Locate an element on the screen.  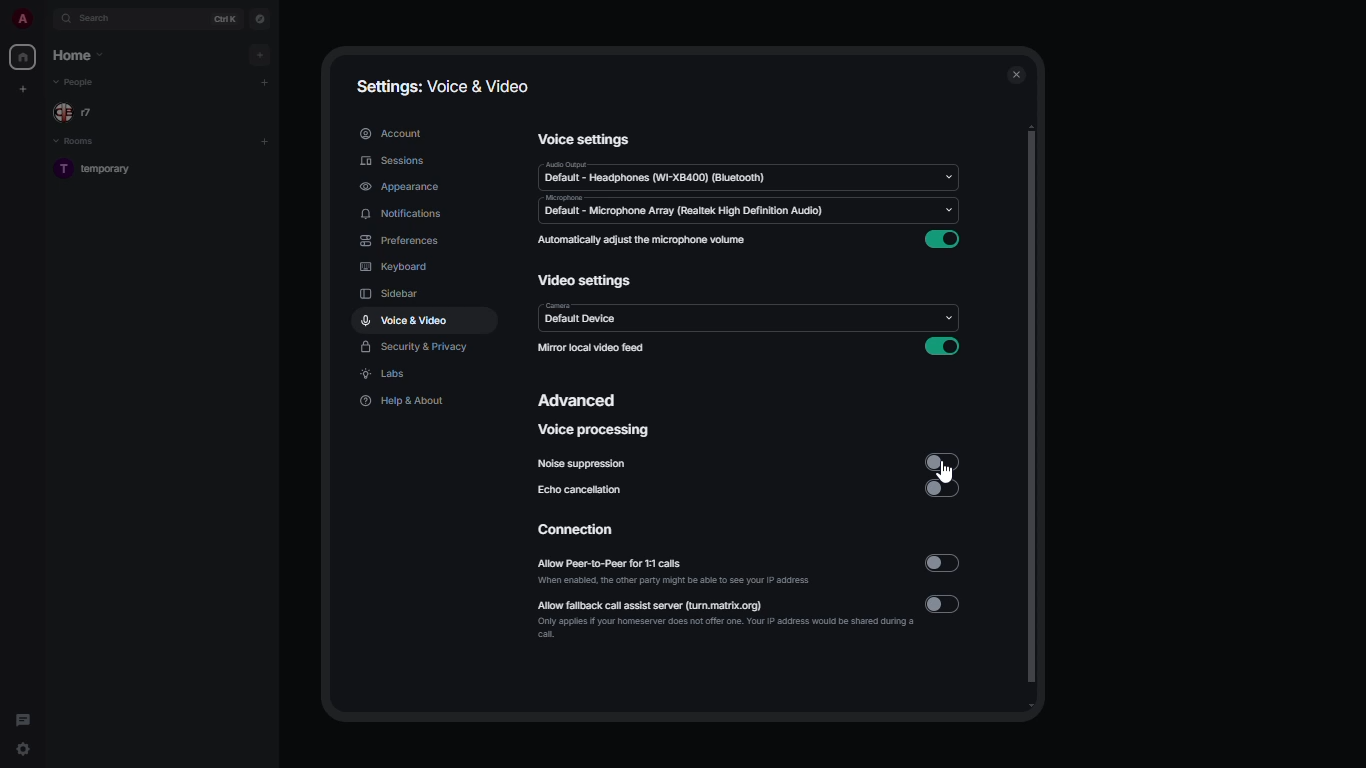
room is located at coordinates (101, 170).